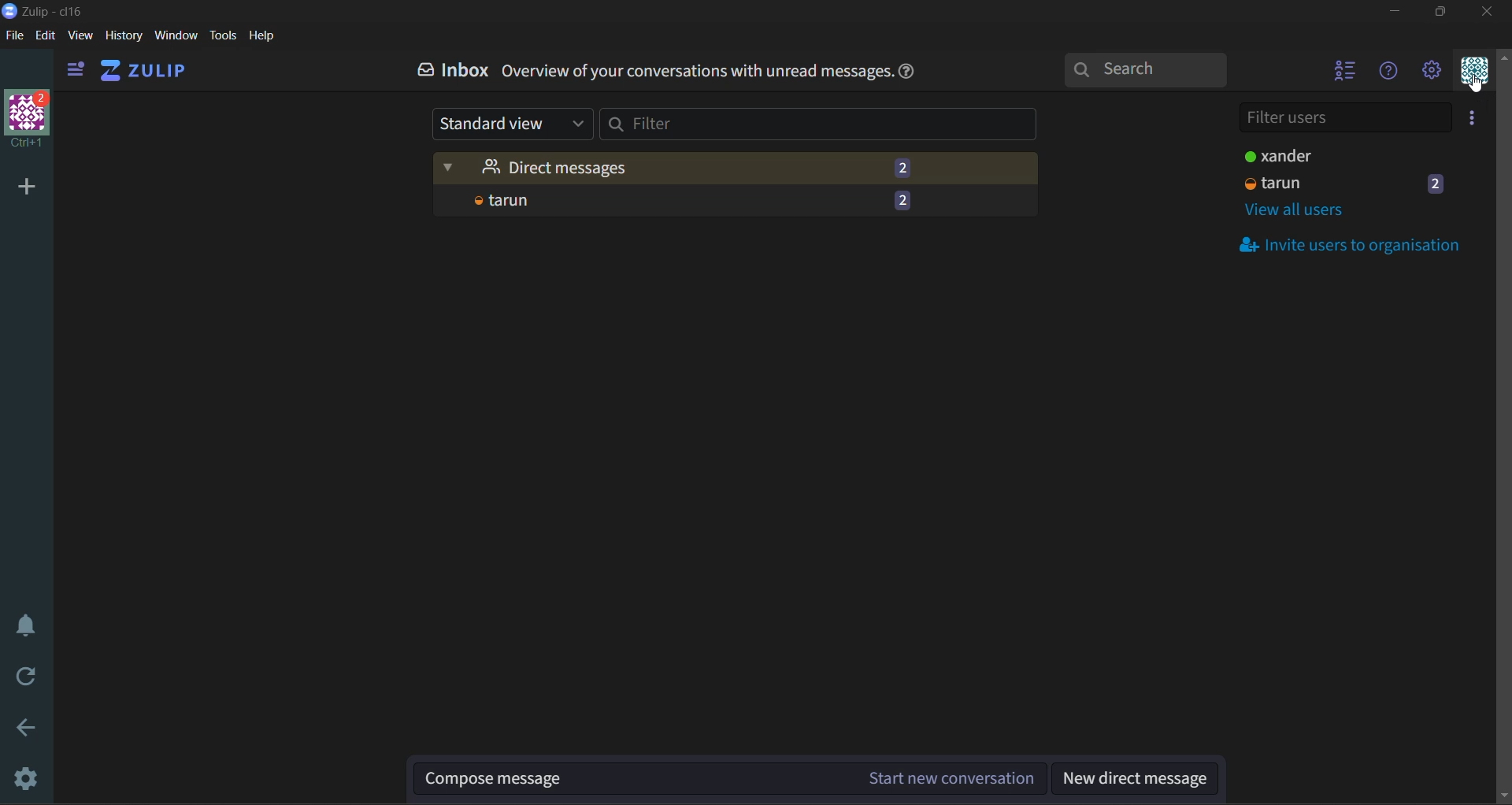 Image resolution: width=1512 pixels, height=805 pixels. What do you see at coordinates (830, 128) in the screenshot?
I see `filter` at bounding box center [830, 128].